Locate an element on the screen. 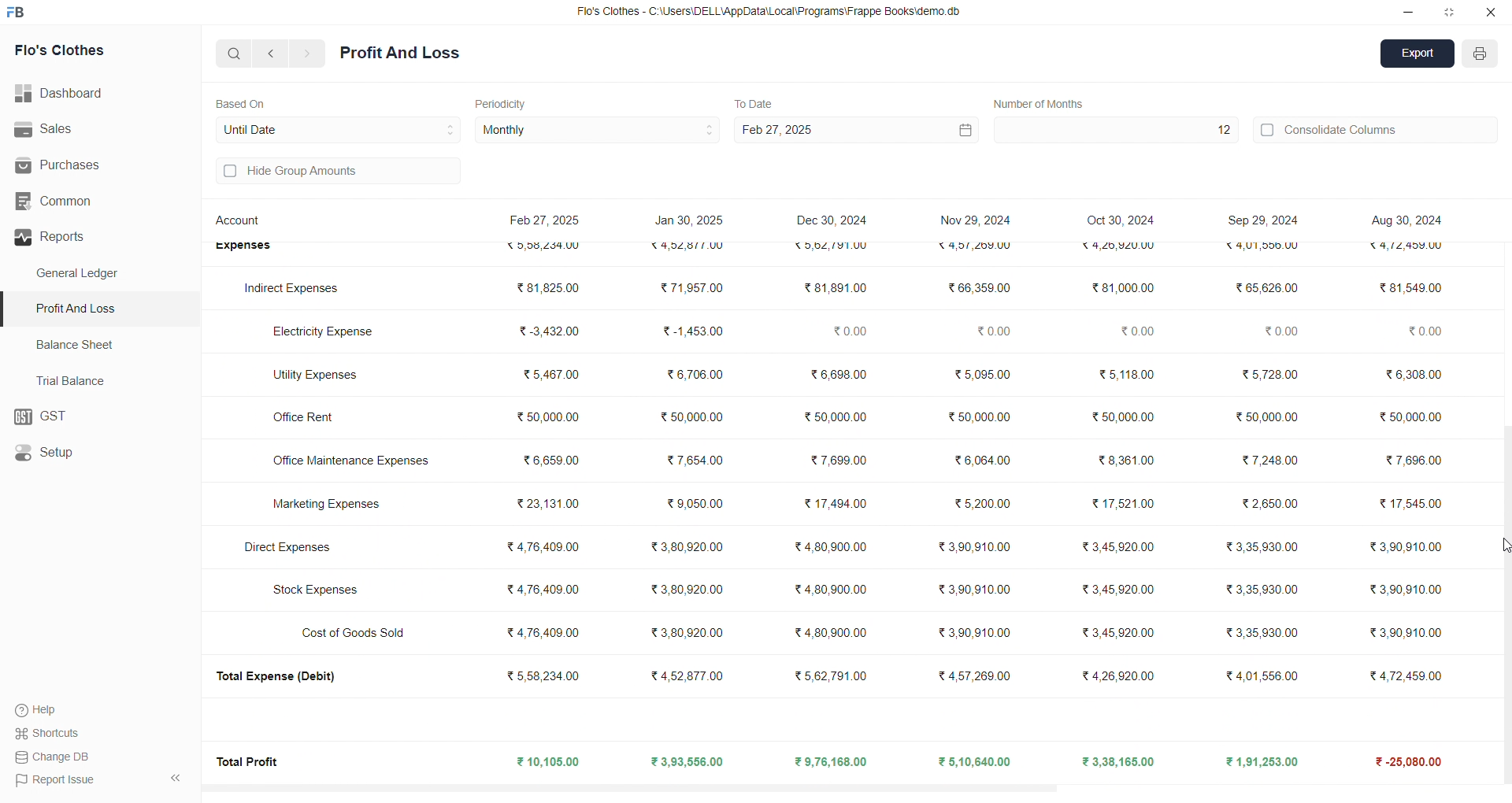 The height and width of the screenshot is (803, 1512). ₹3,35,930.00 is located at coordinates (1258, 634).